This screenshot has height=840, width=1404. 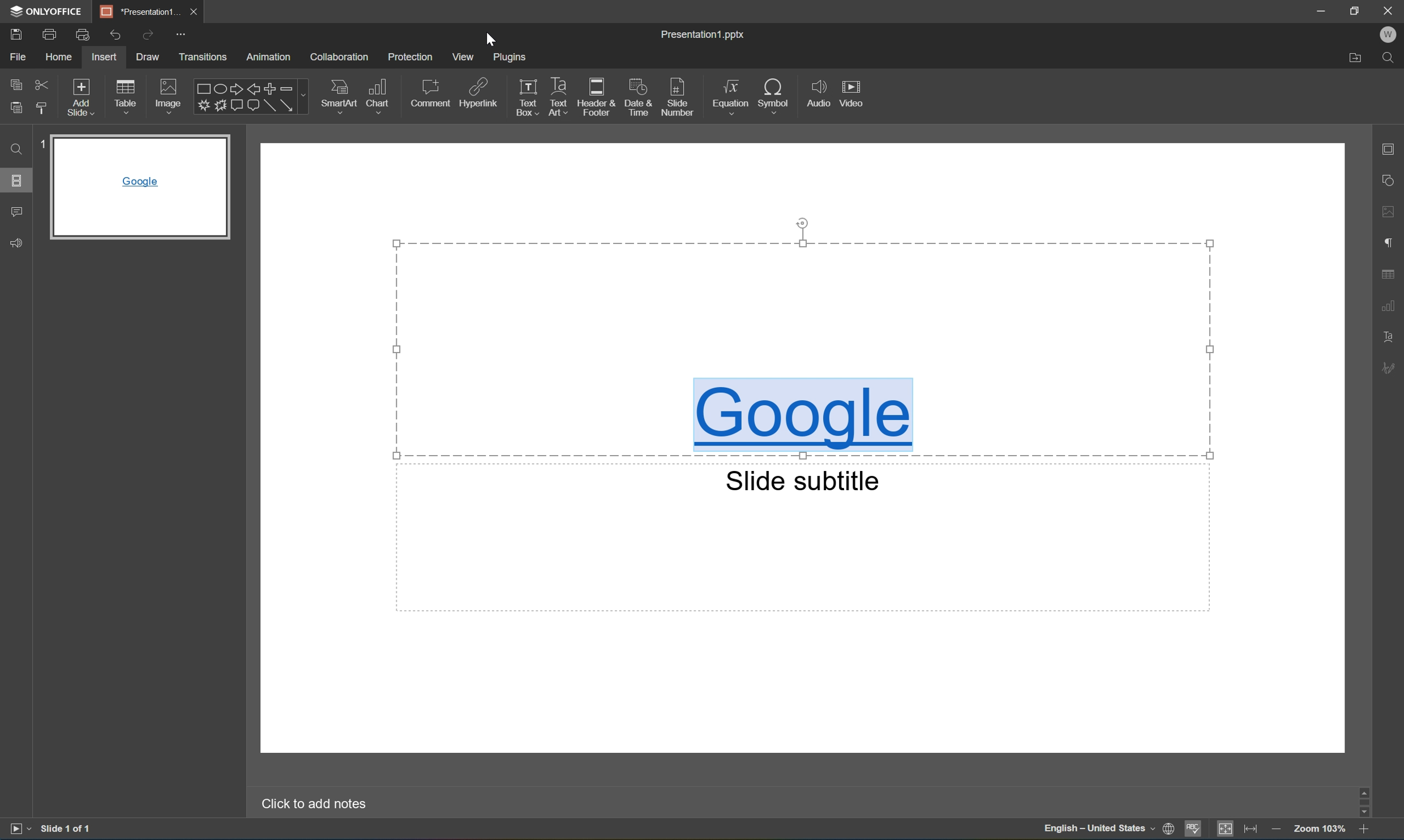 I want to click on Insert, so click(x=106, y=56).